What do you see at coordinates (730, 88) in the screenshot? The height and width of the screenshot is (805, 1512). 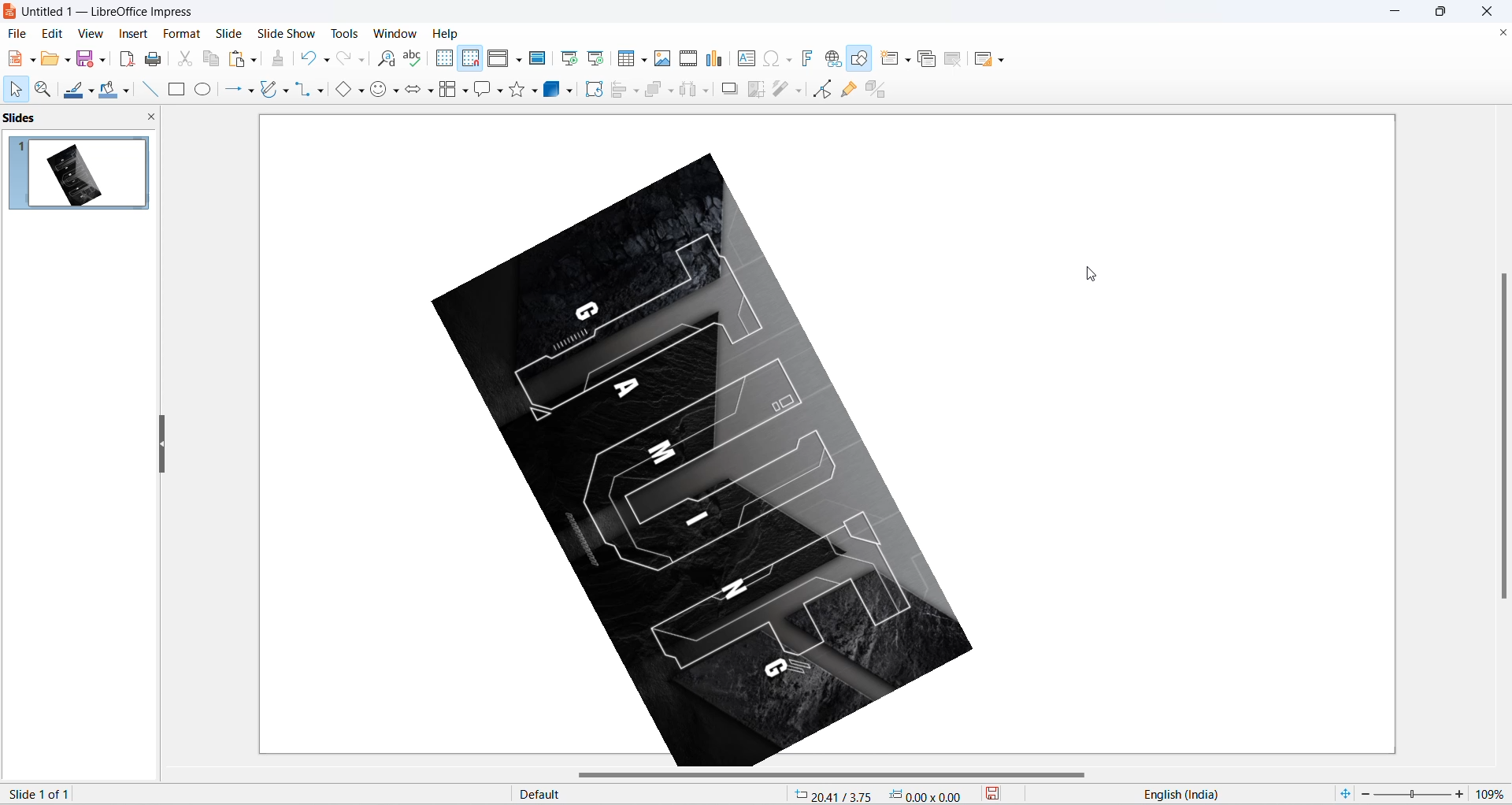 I see `shadow` at bounding box center [730, 88].